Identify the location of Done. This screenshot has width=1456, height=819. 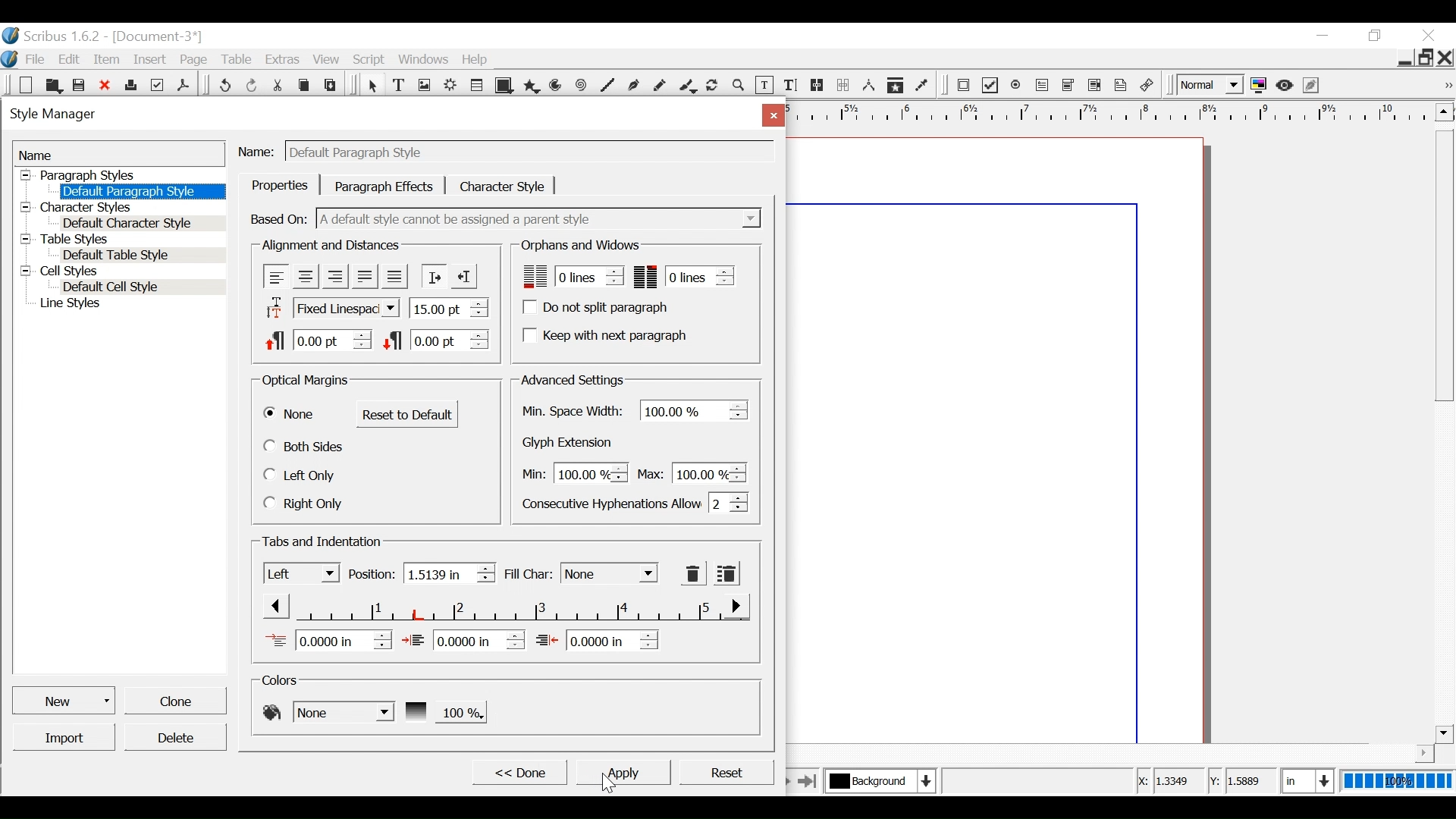
(518, 771).